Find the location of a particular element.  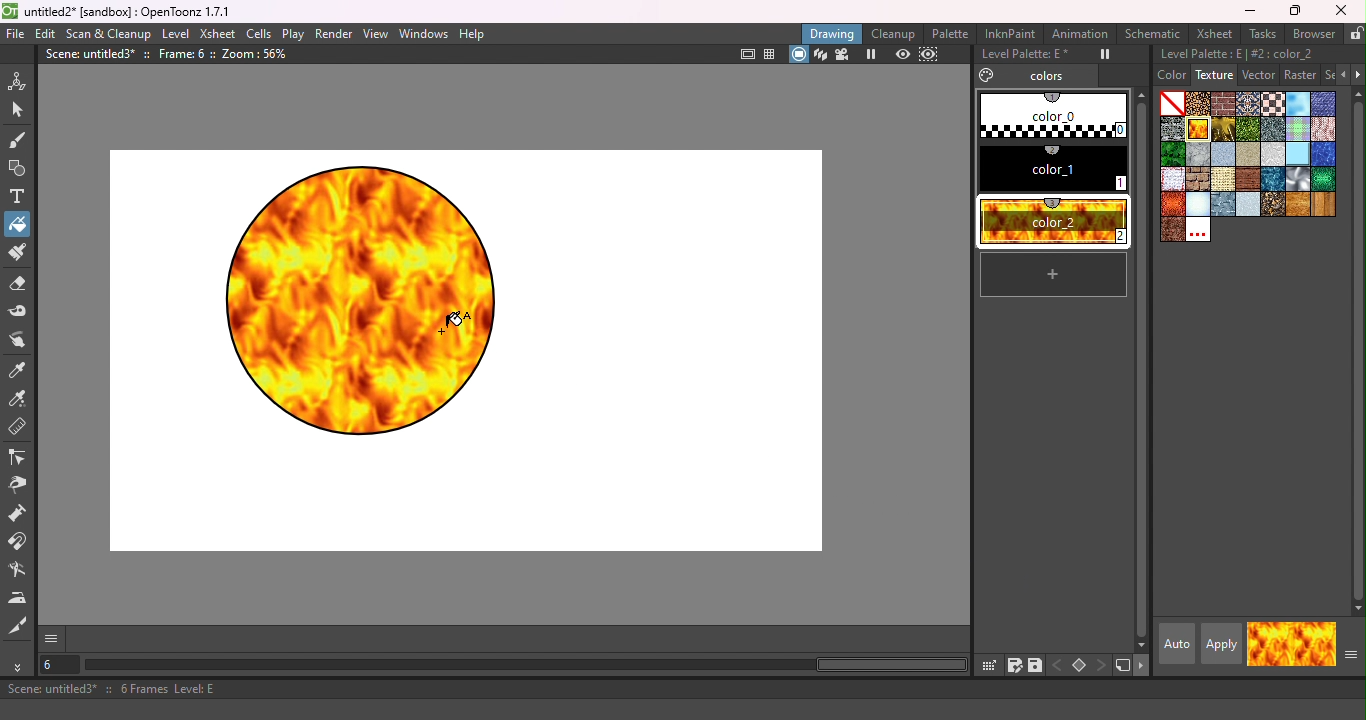

save palette is located at coordinates (1036, 665).